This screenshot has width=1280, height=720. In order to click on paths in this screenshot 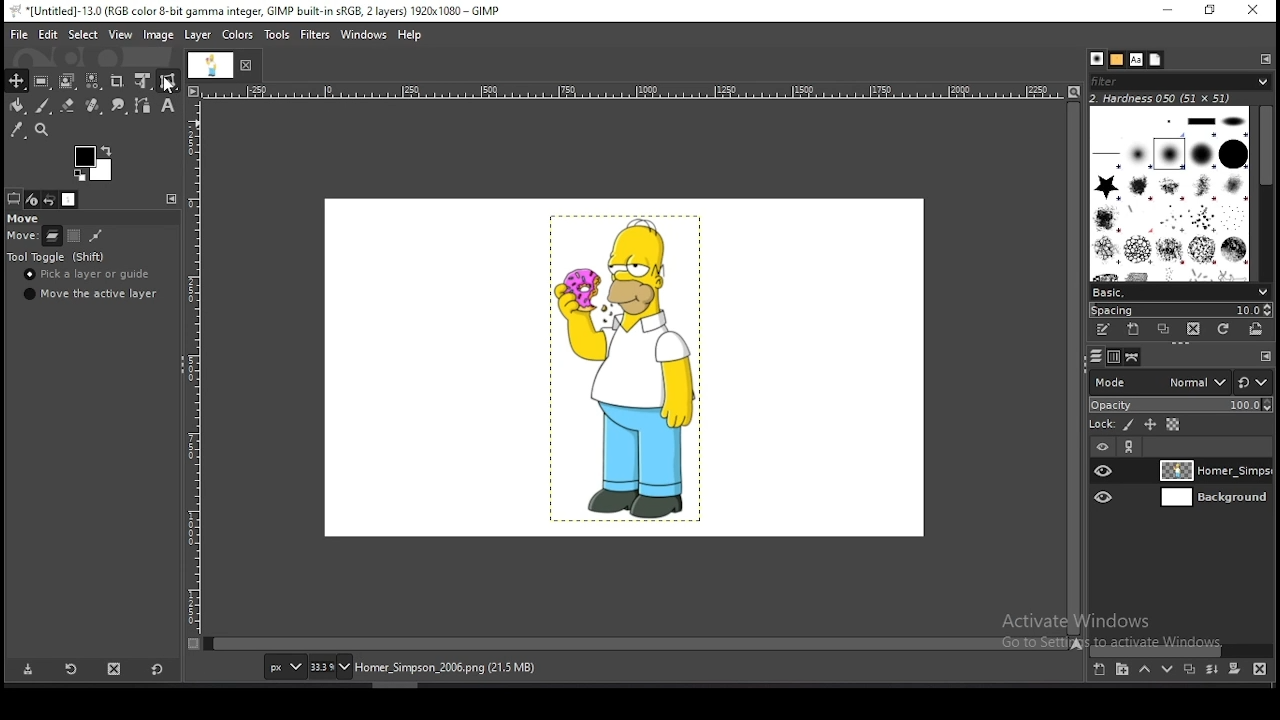, I will do `click(1130, 357)`.